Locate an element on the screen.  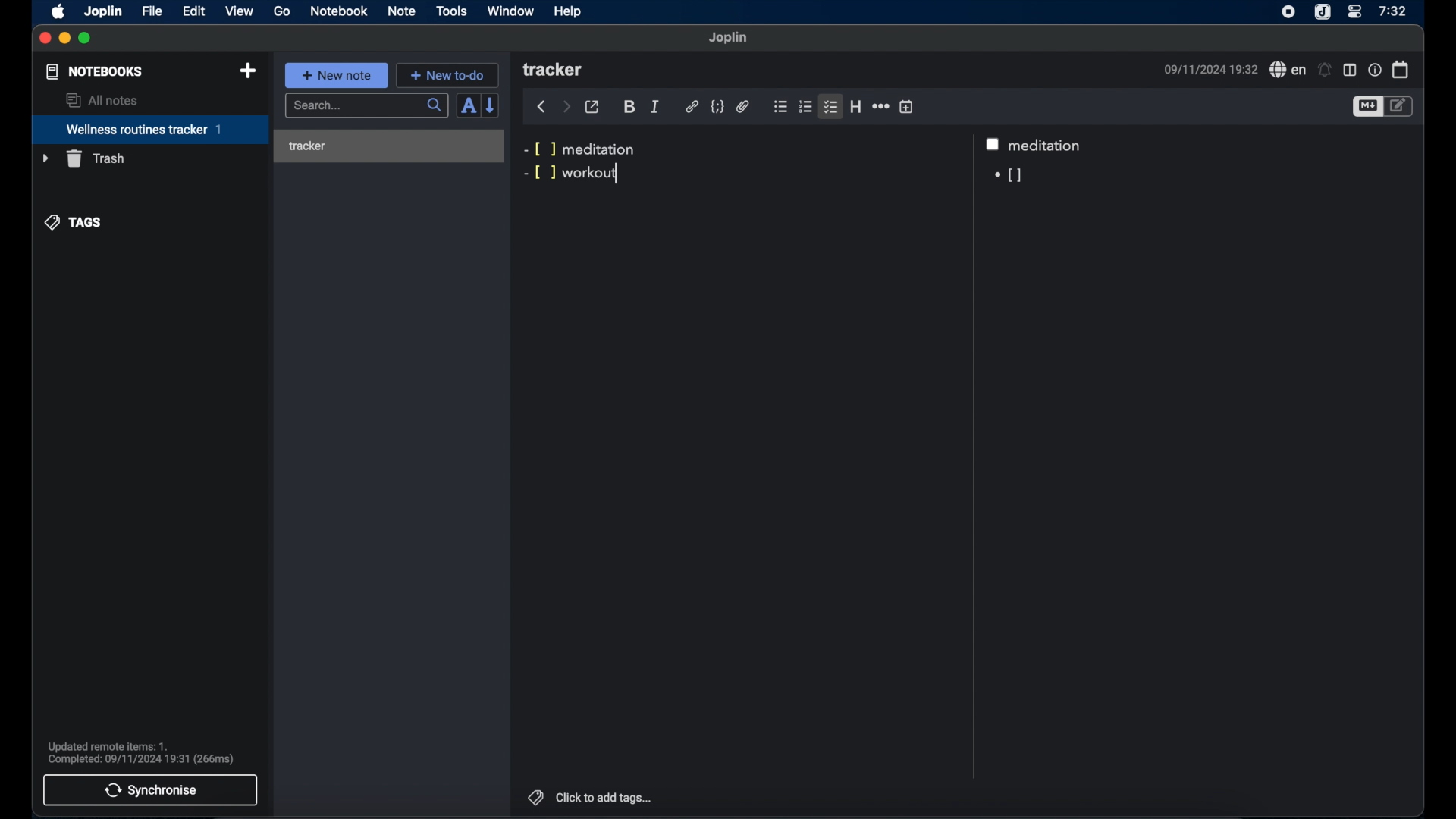
tags is located at coordinates (533, 795).